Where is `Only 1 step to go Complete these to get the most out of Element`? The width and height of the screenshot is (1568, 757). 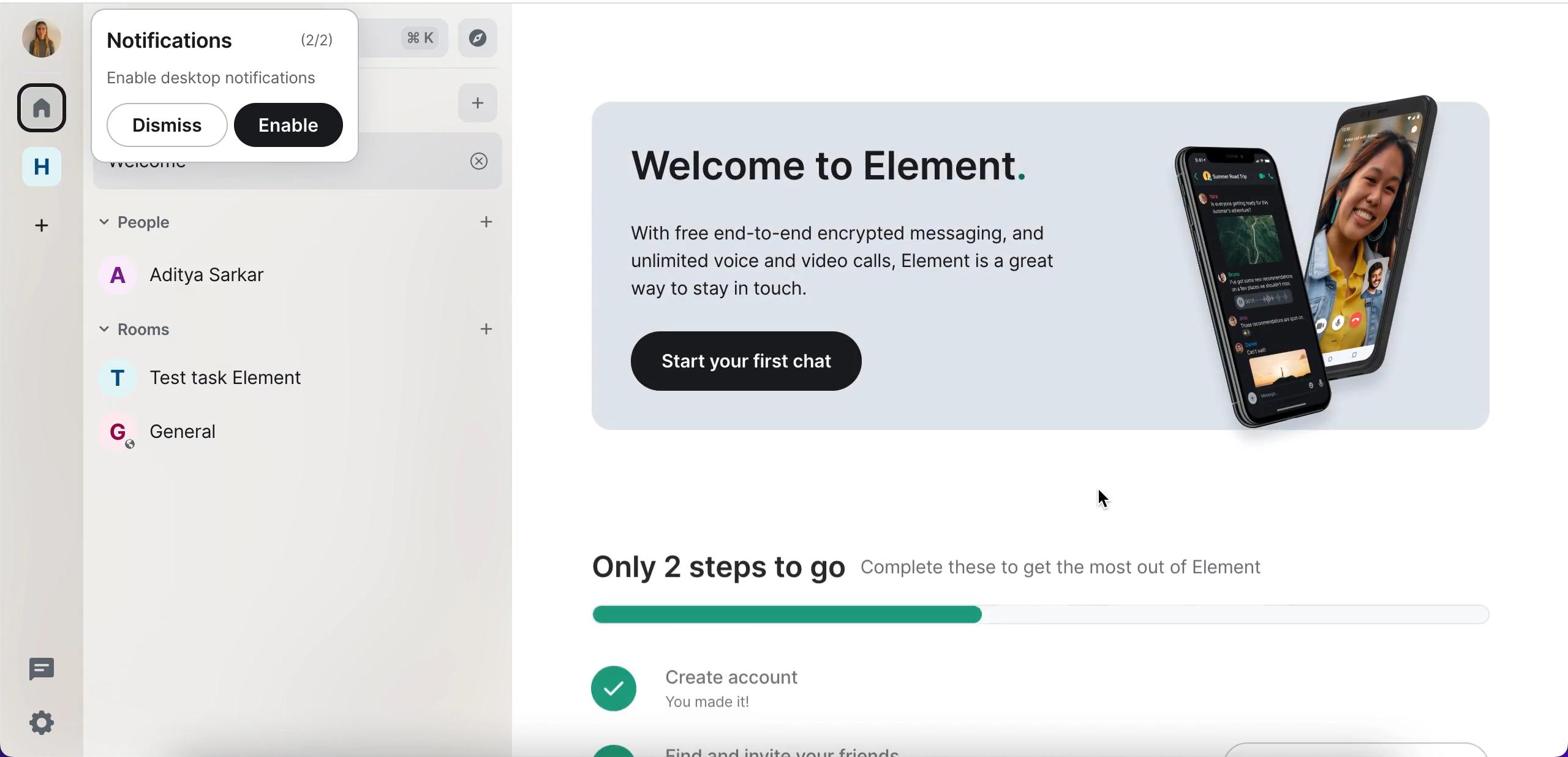
Only 1 step to go Complete these to get the most out of Element is located at coordinates (932, 565).